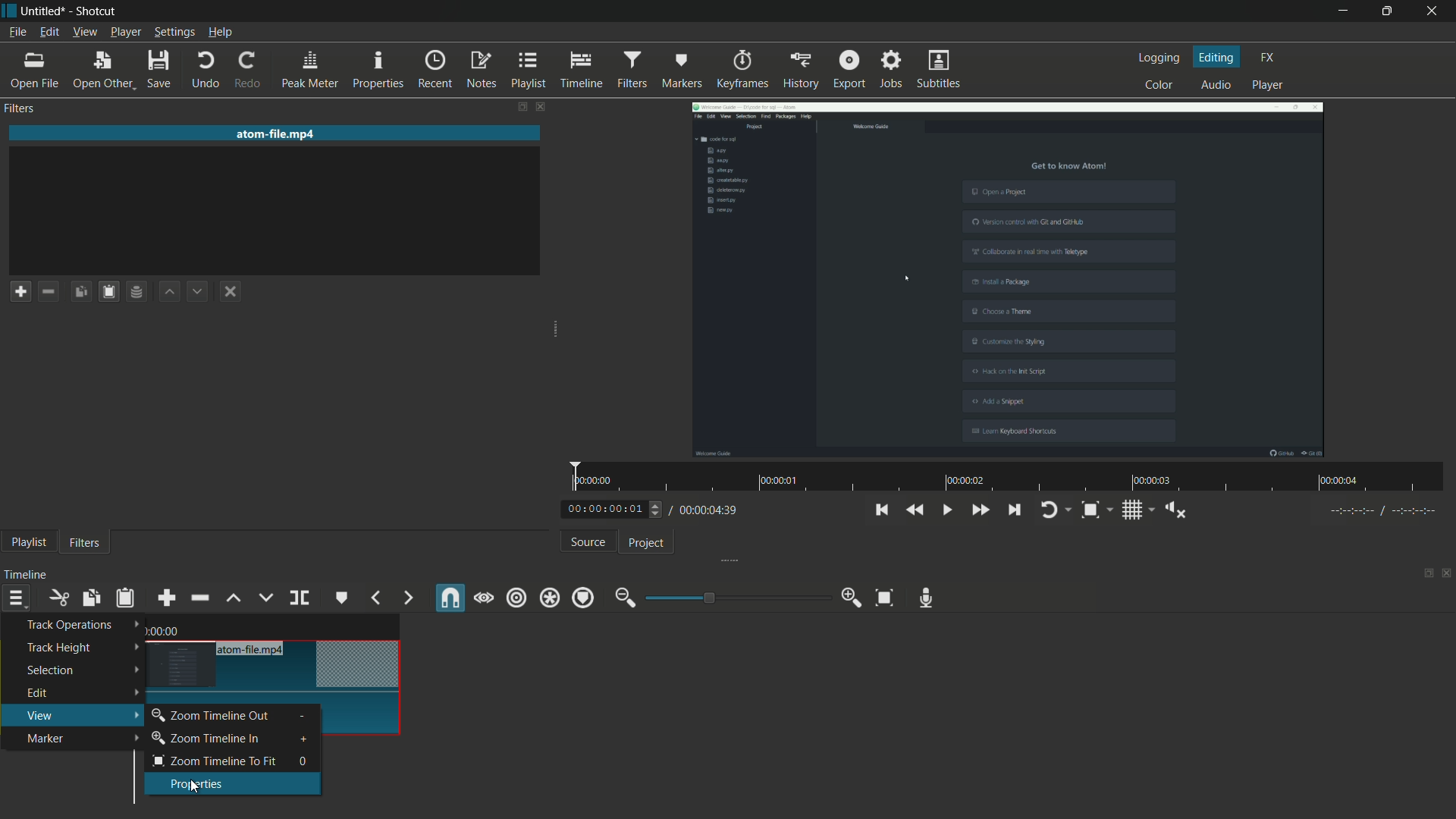  Describe the element at coordinates (447, 598) in the screenshot. I see `snap` at that location.